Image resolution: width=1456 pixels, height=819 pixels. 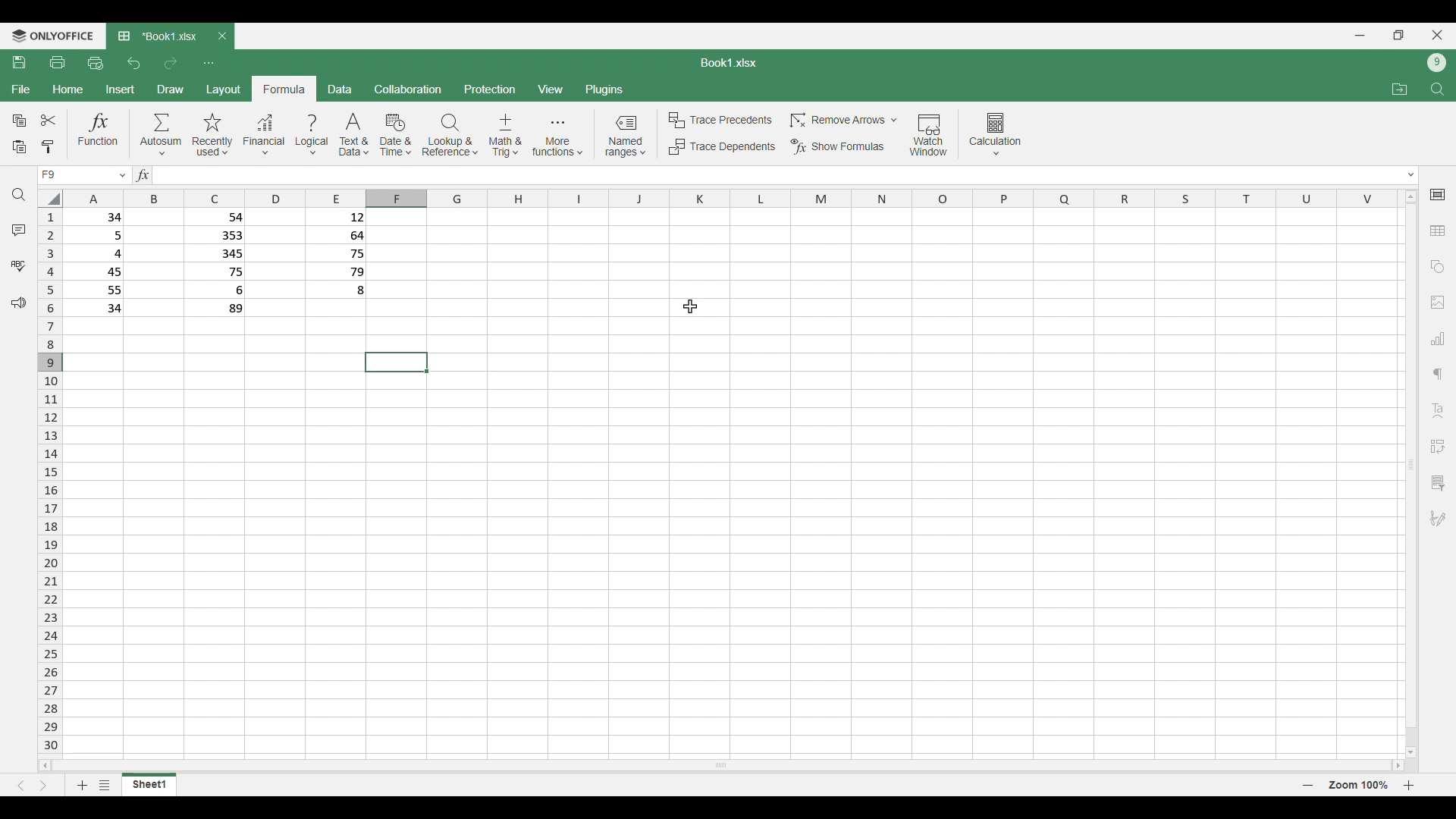 I want to click on Comments, so click(x=19, y=231).